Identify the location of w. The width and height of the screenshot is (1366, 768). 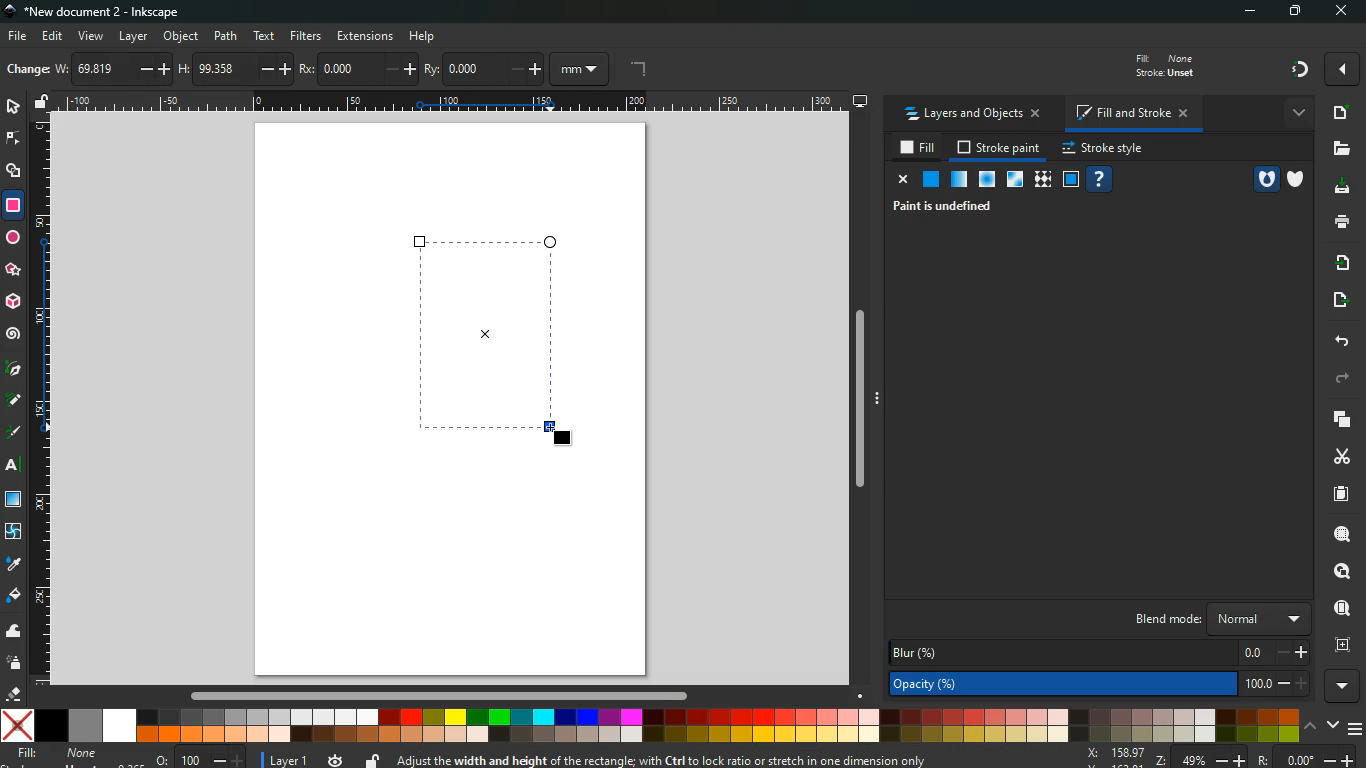
(103, 70).